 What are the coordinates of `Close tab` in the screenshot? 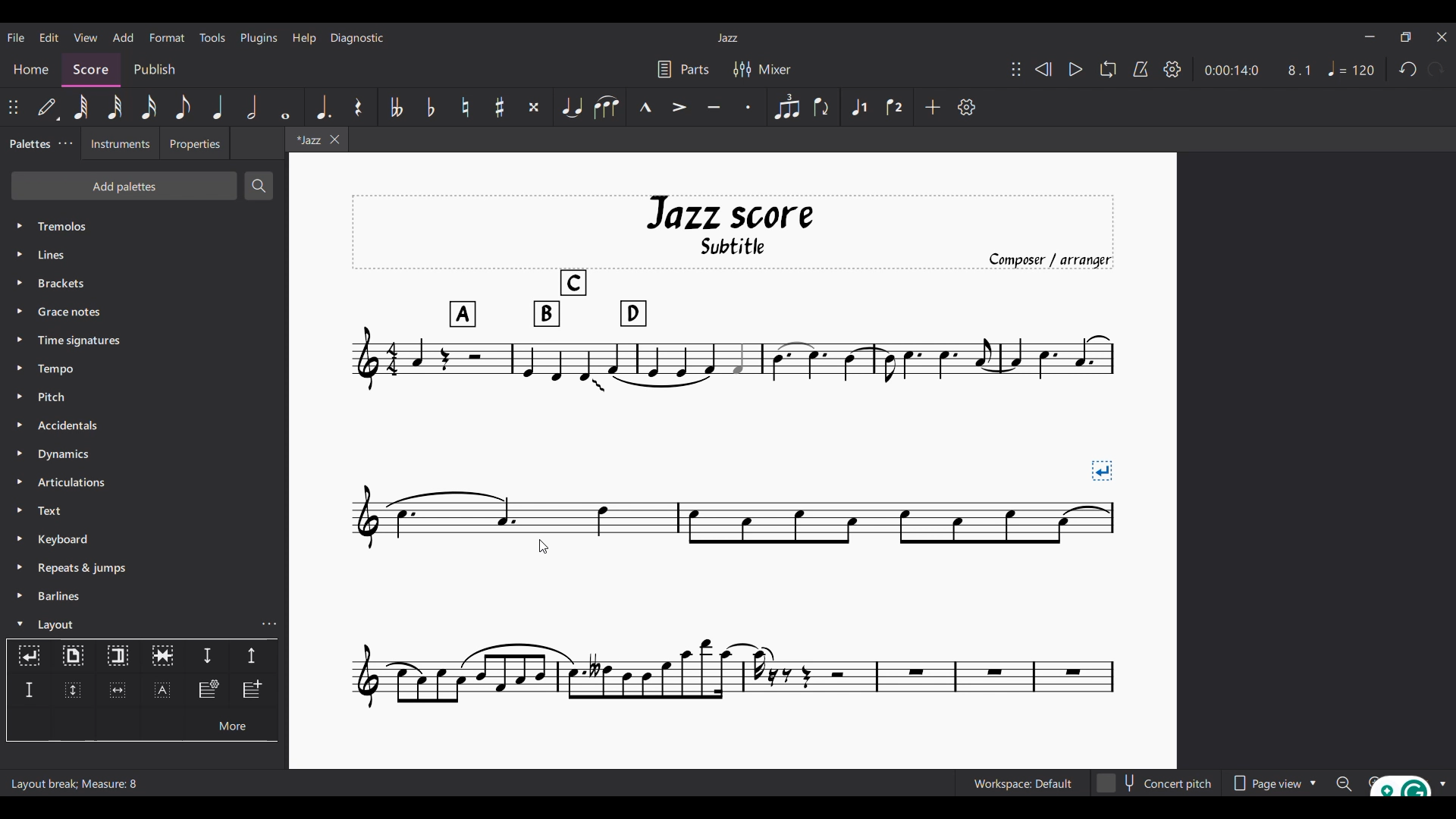 It's located at (335, 140).